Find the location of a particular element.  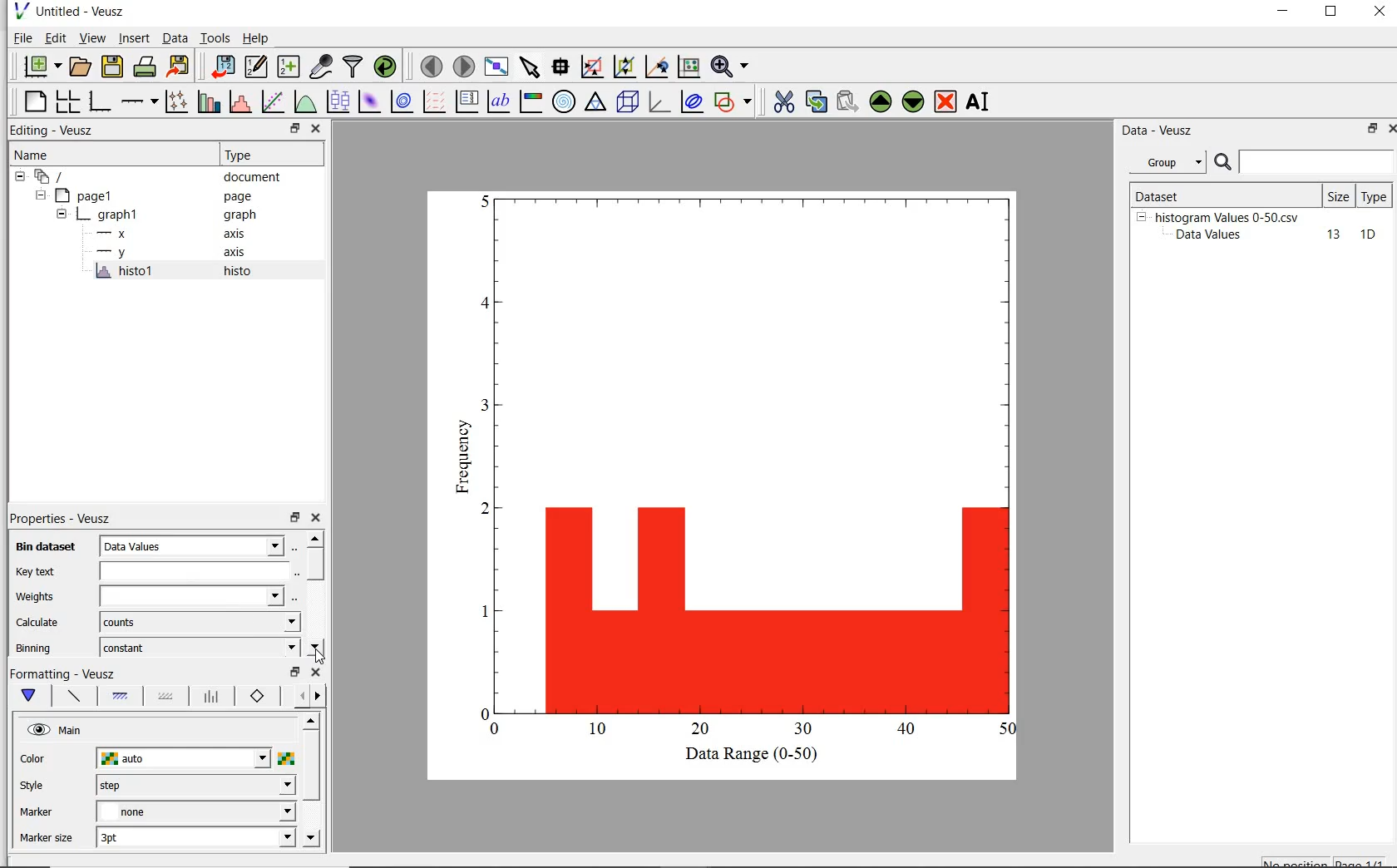

paste the selected widget is located at coordinates (847, 103).